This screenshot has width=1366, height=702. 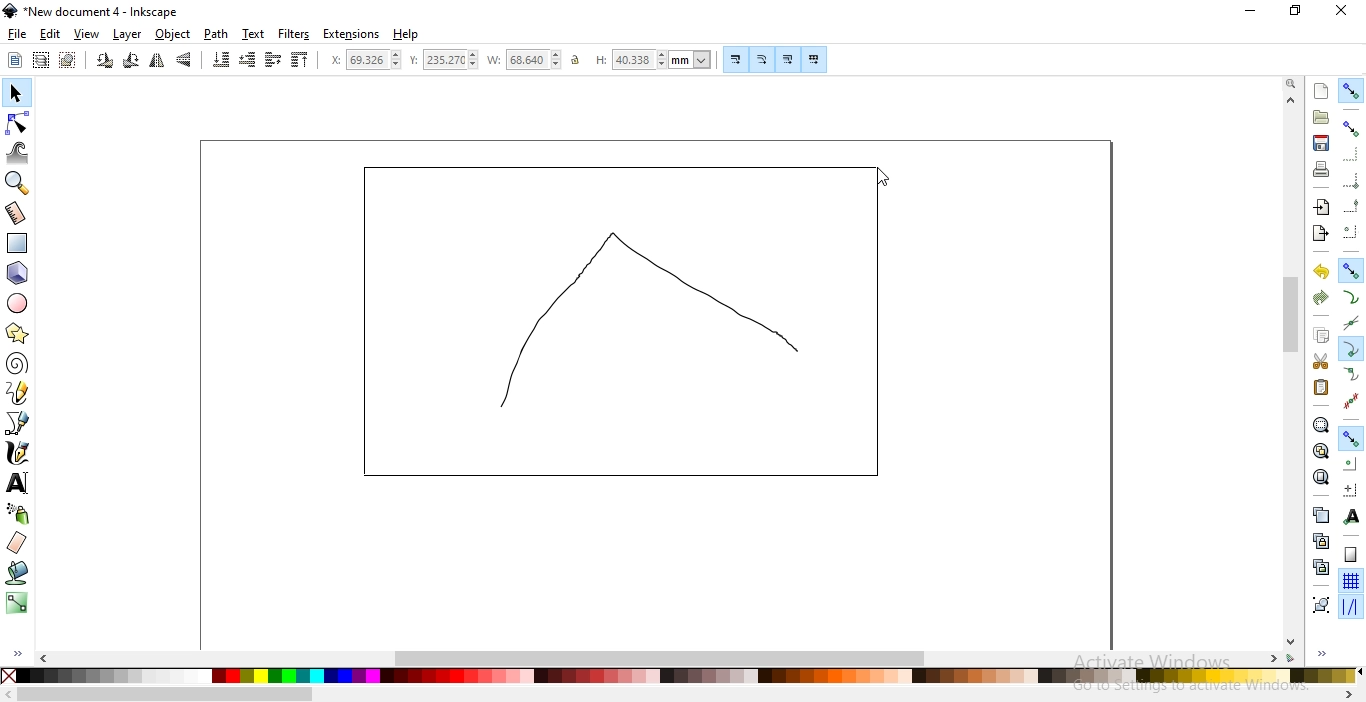 I want to click on minimize, so click(x=1252, y=9).